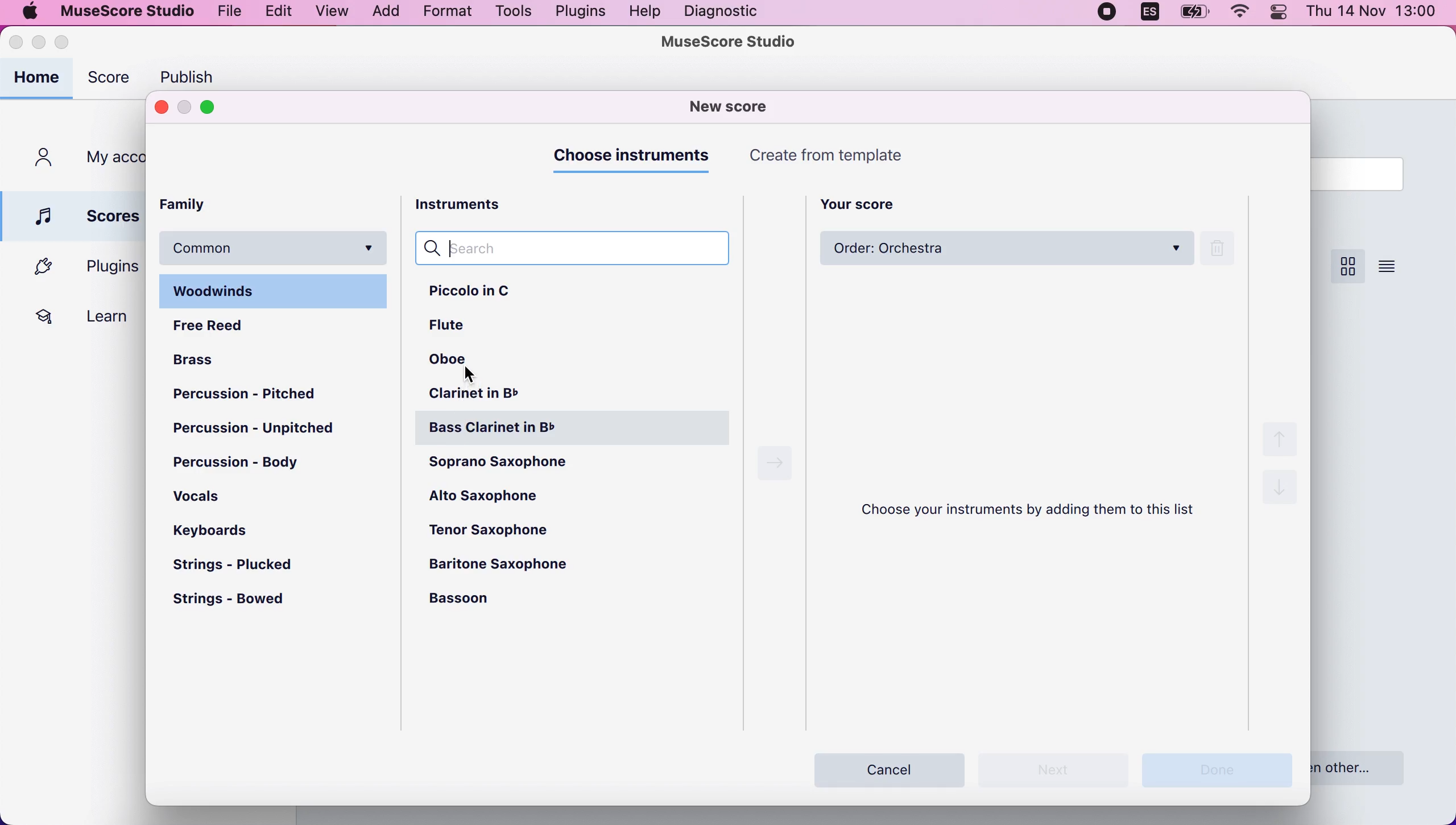 This screenshot has height=825, width=1456. I want to click on minimize, so click(40, 44).